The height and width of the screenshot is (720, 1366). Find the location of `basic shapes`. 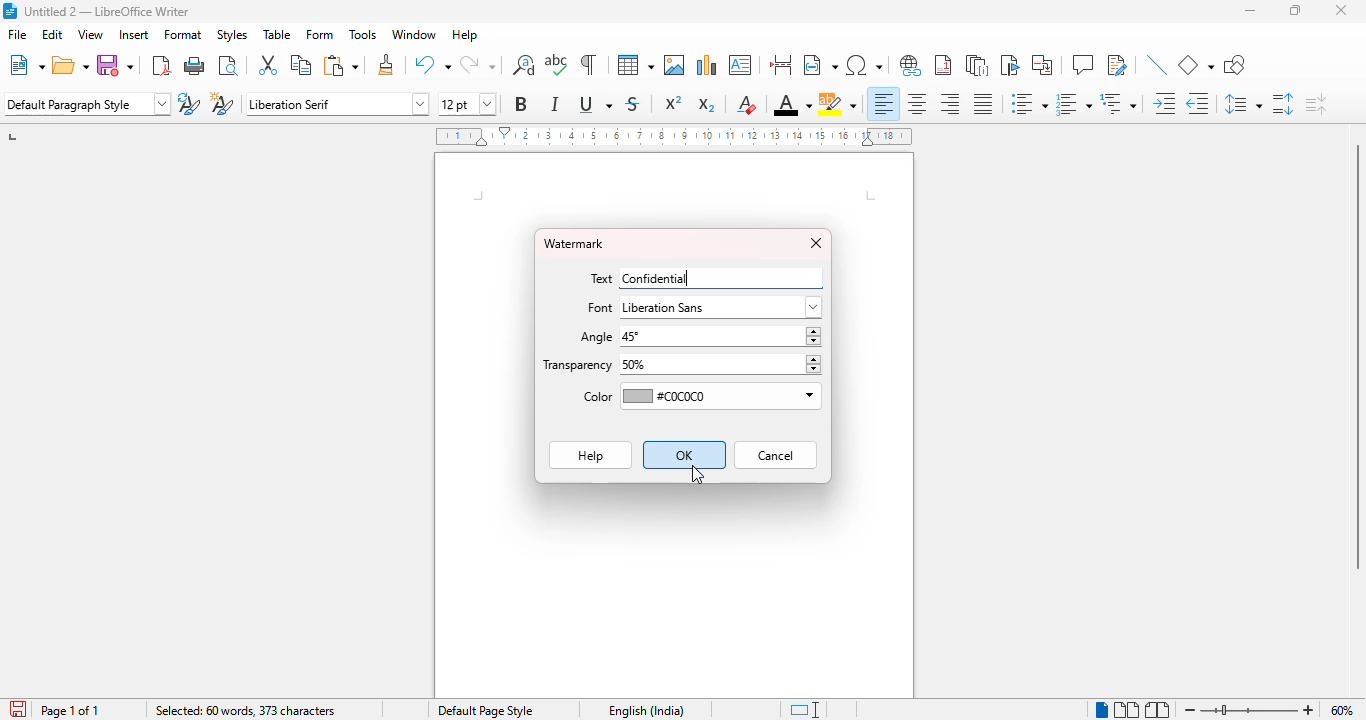

basic shapes is located at coordinates (1195, 65).